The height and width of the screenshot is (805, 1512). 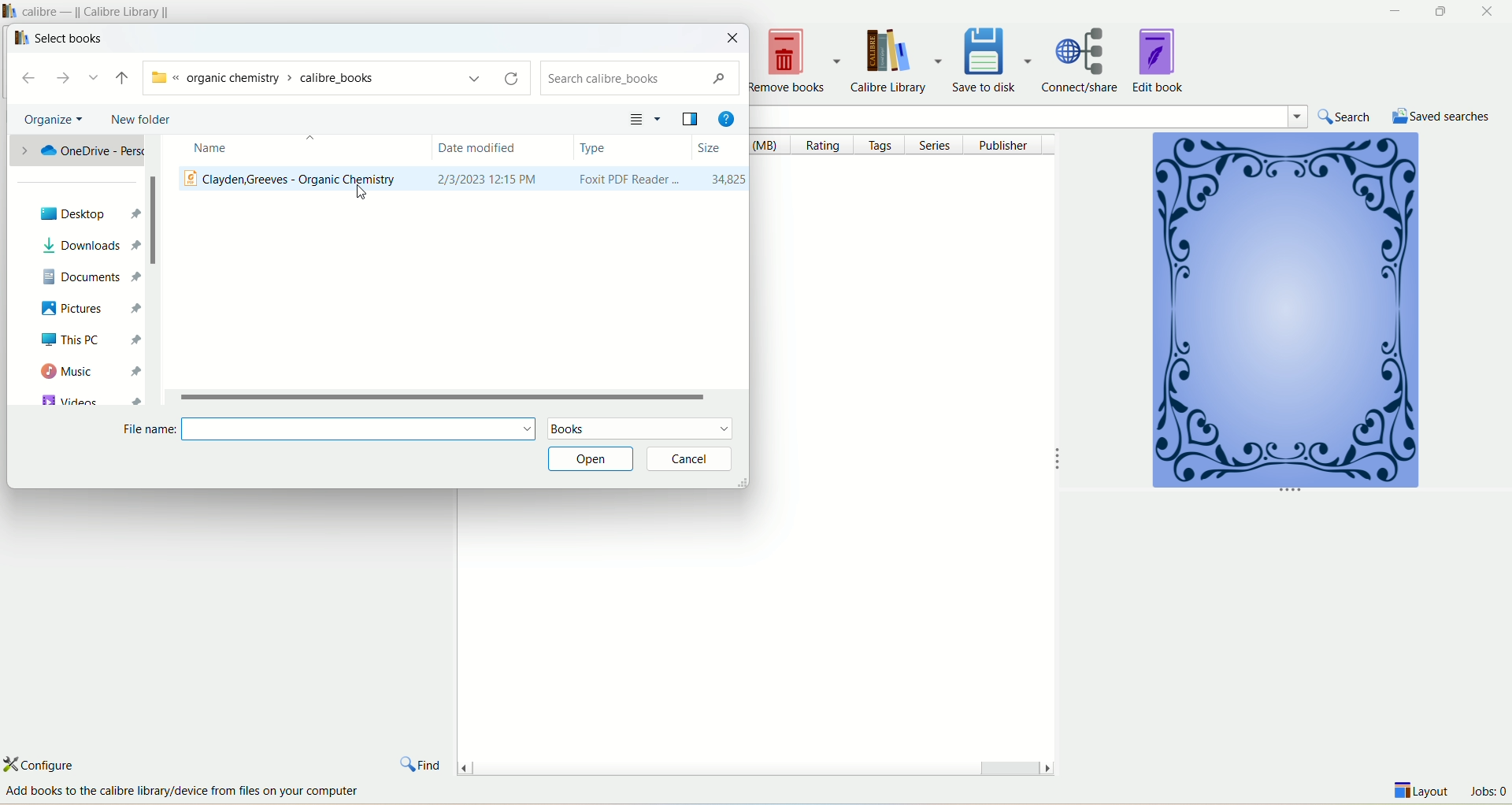 I want to click on select book, so click(x=69, y=39).